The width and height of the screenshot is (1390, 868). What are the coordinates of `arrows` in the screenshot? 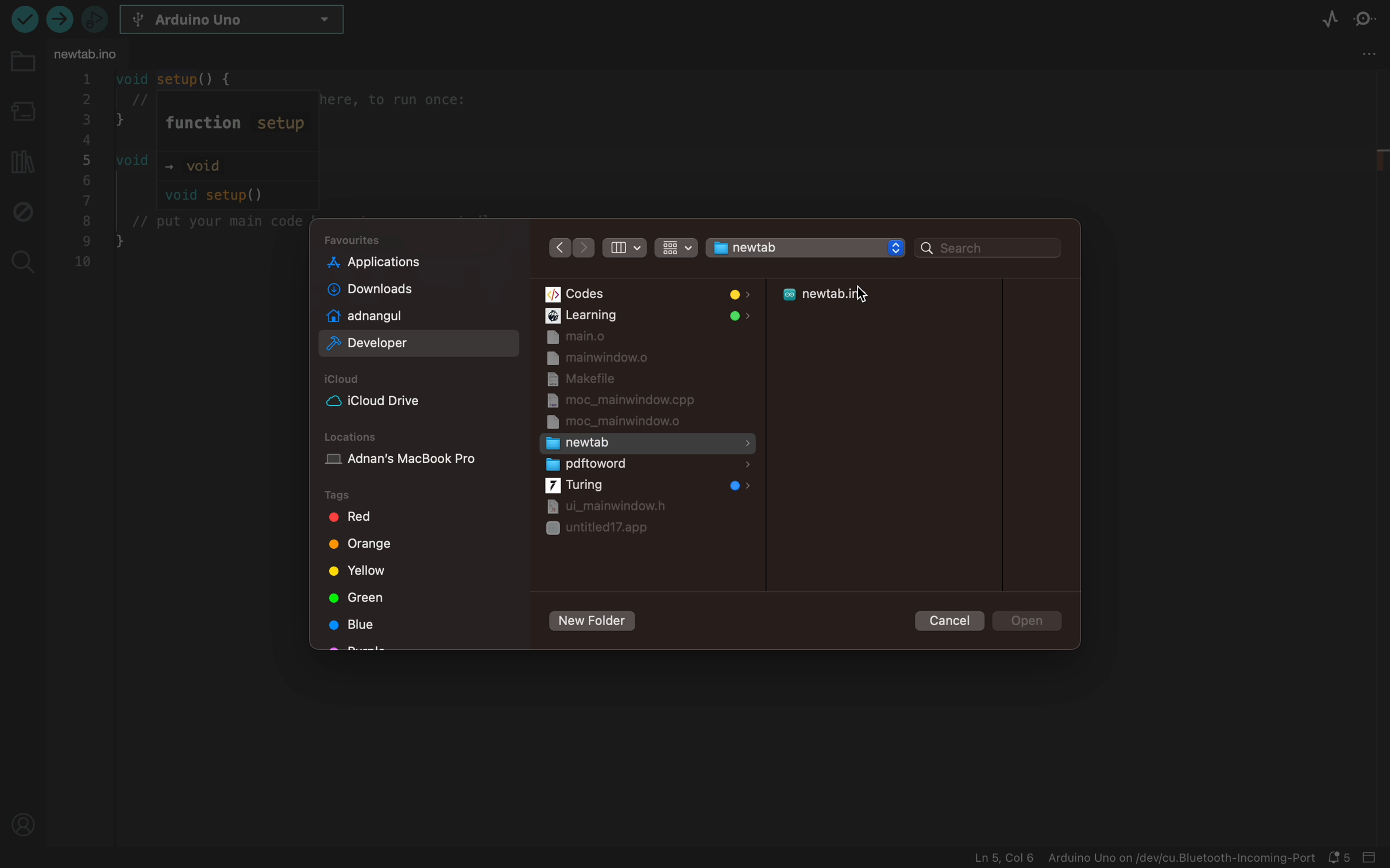 It's located at (570, 247).